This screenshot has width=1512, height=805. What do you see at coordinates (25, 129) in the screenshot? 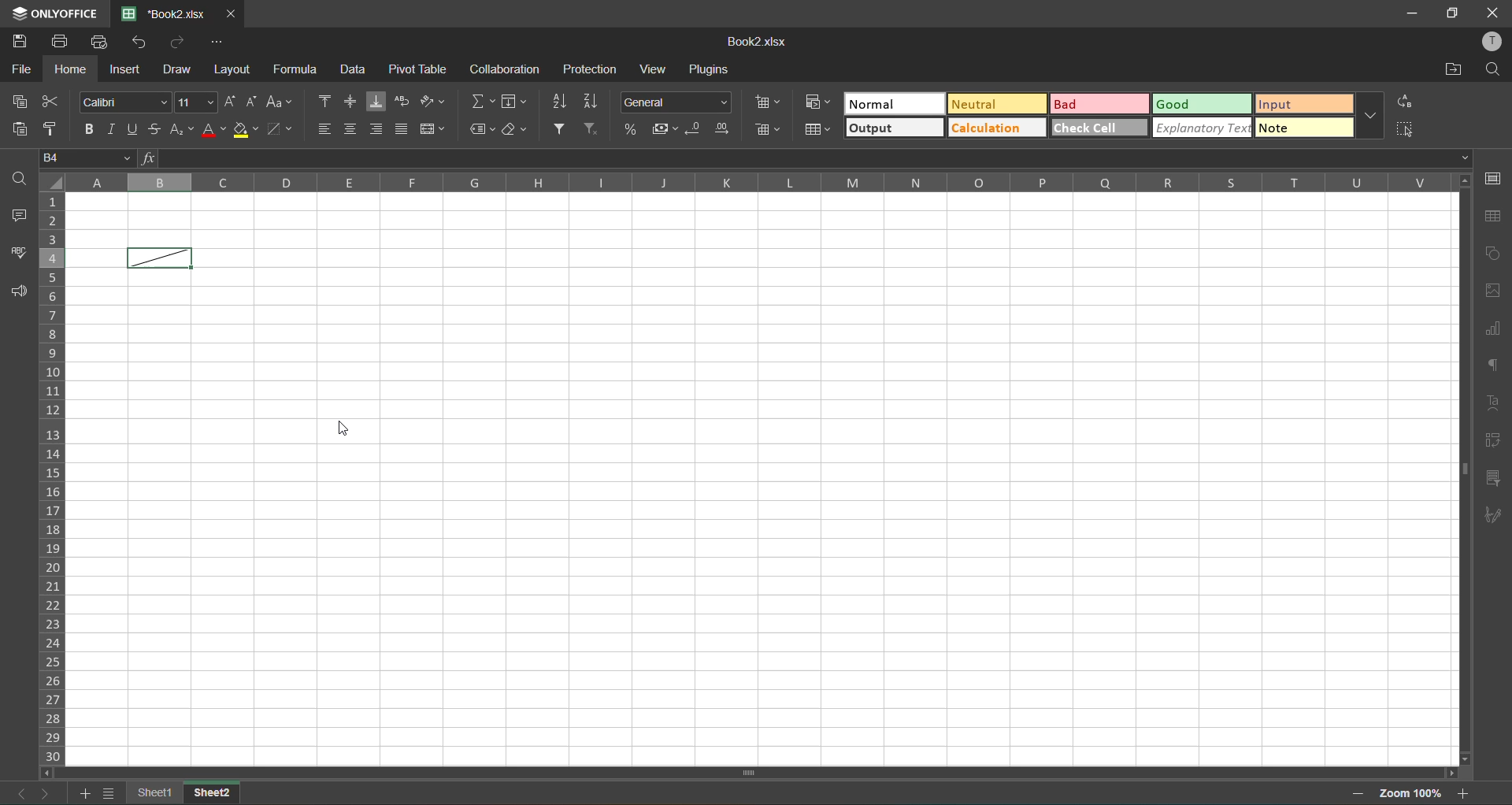
I see `paste` at bounding box center [25, 129].